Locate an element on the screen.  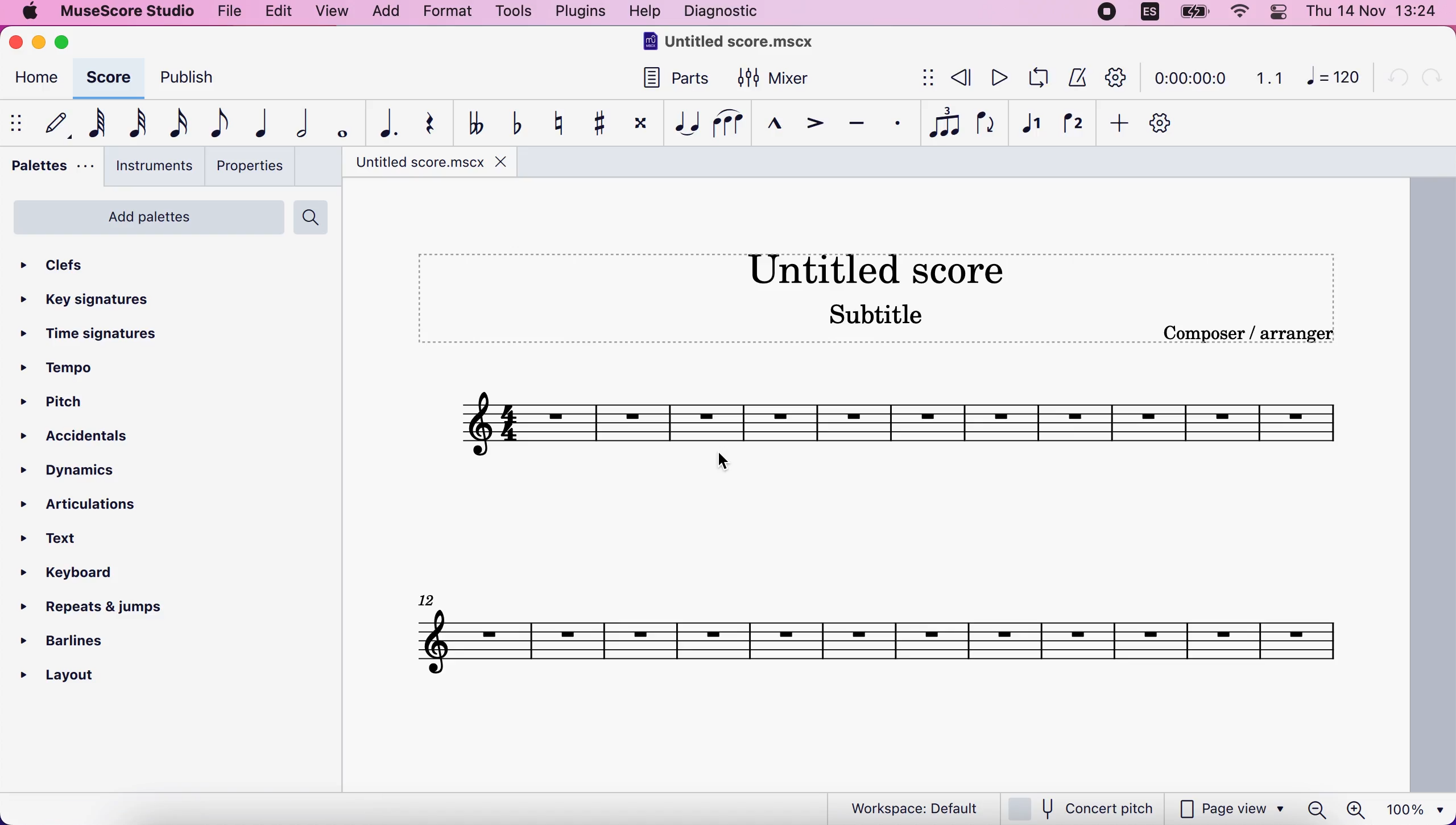
mac logo is located at coordinates (29, 13).